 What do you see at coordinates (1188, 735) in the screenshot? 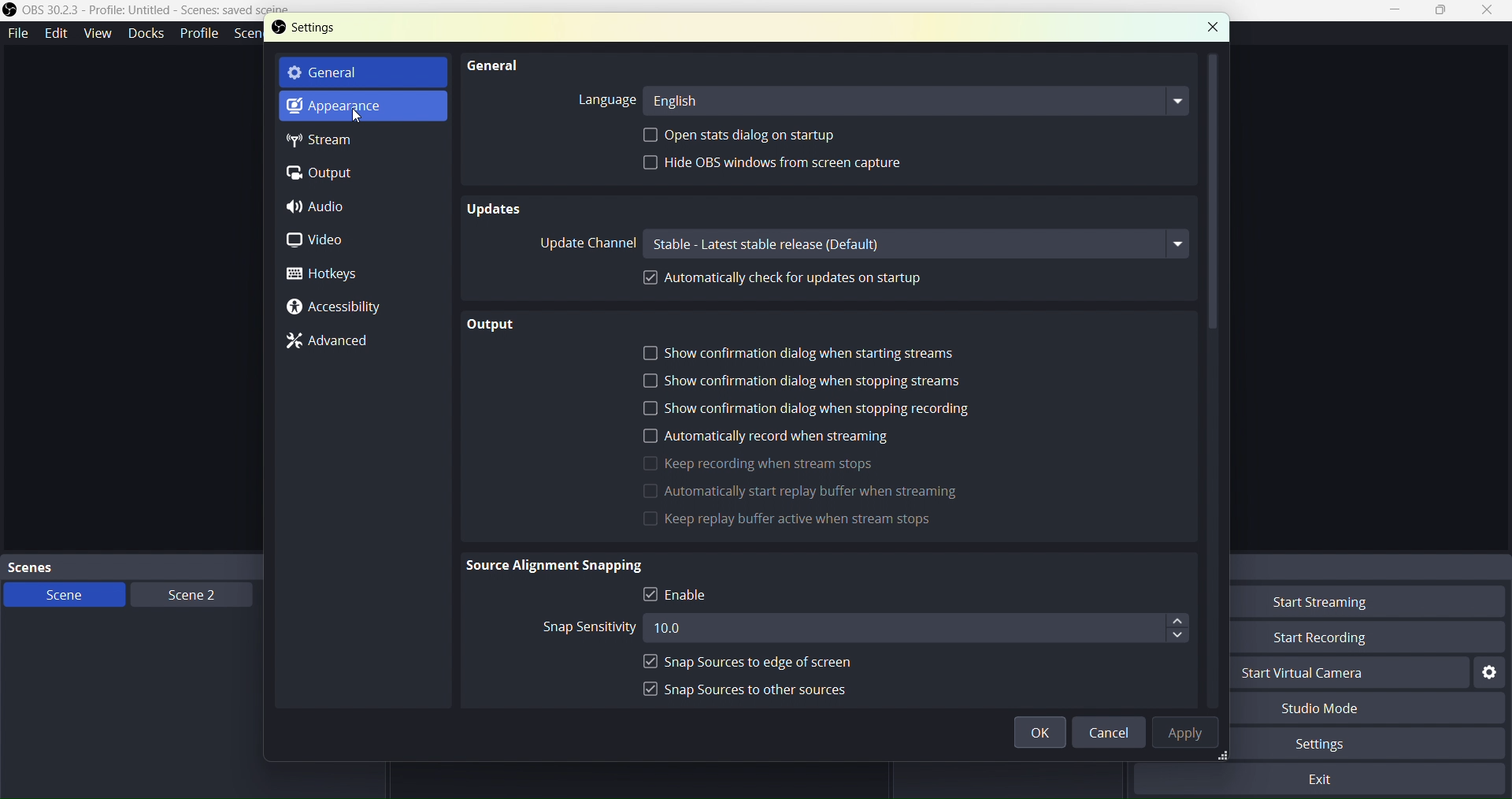
I see `Apply` at bounding box center [1188, 735].